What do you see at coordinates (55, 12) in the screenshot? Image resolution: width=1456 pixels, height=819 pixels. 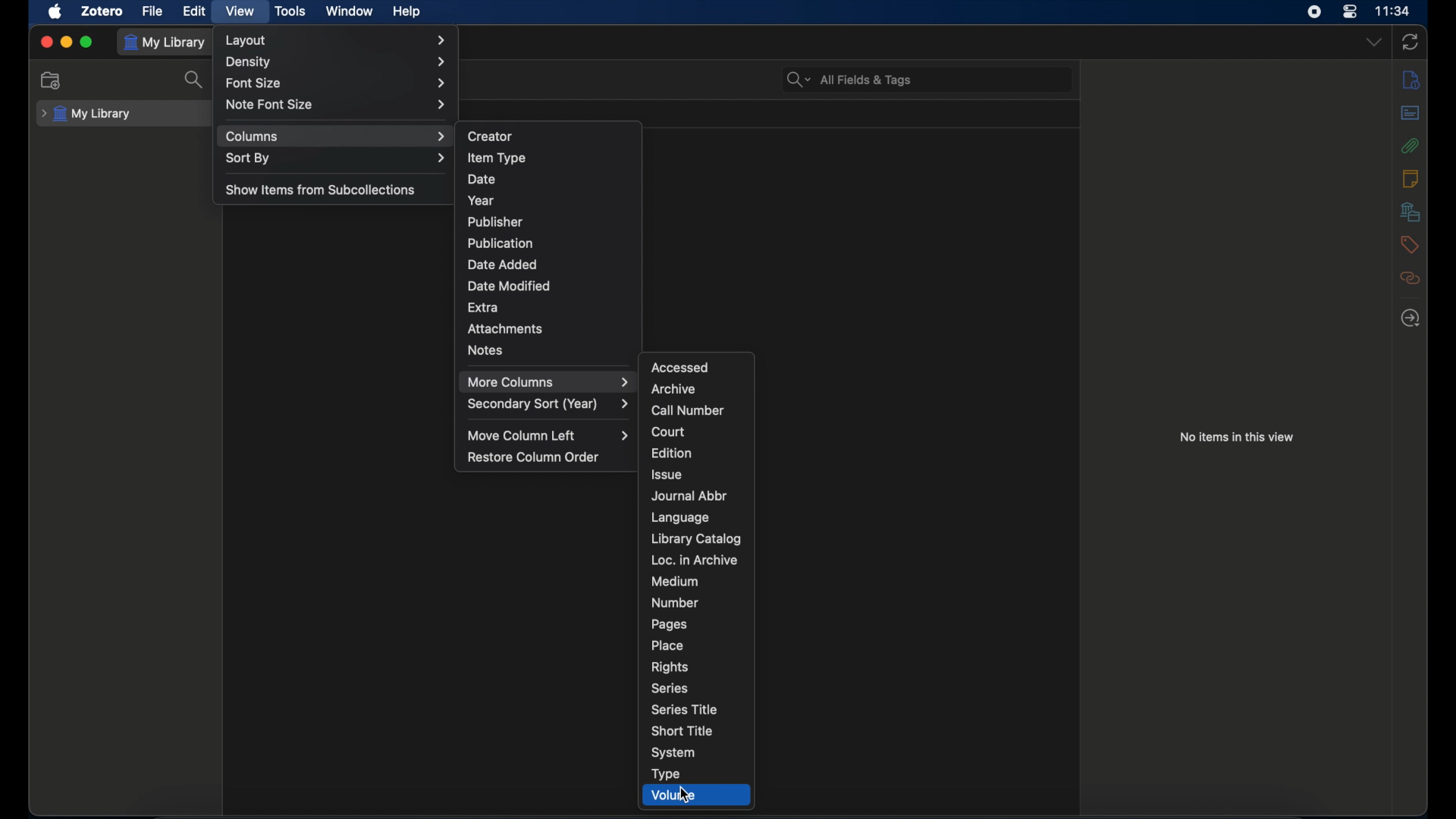 I see `apple` at bounding box center [55, 12].